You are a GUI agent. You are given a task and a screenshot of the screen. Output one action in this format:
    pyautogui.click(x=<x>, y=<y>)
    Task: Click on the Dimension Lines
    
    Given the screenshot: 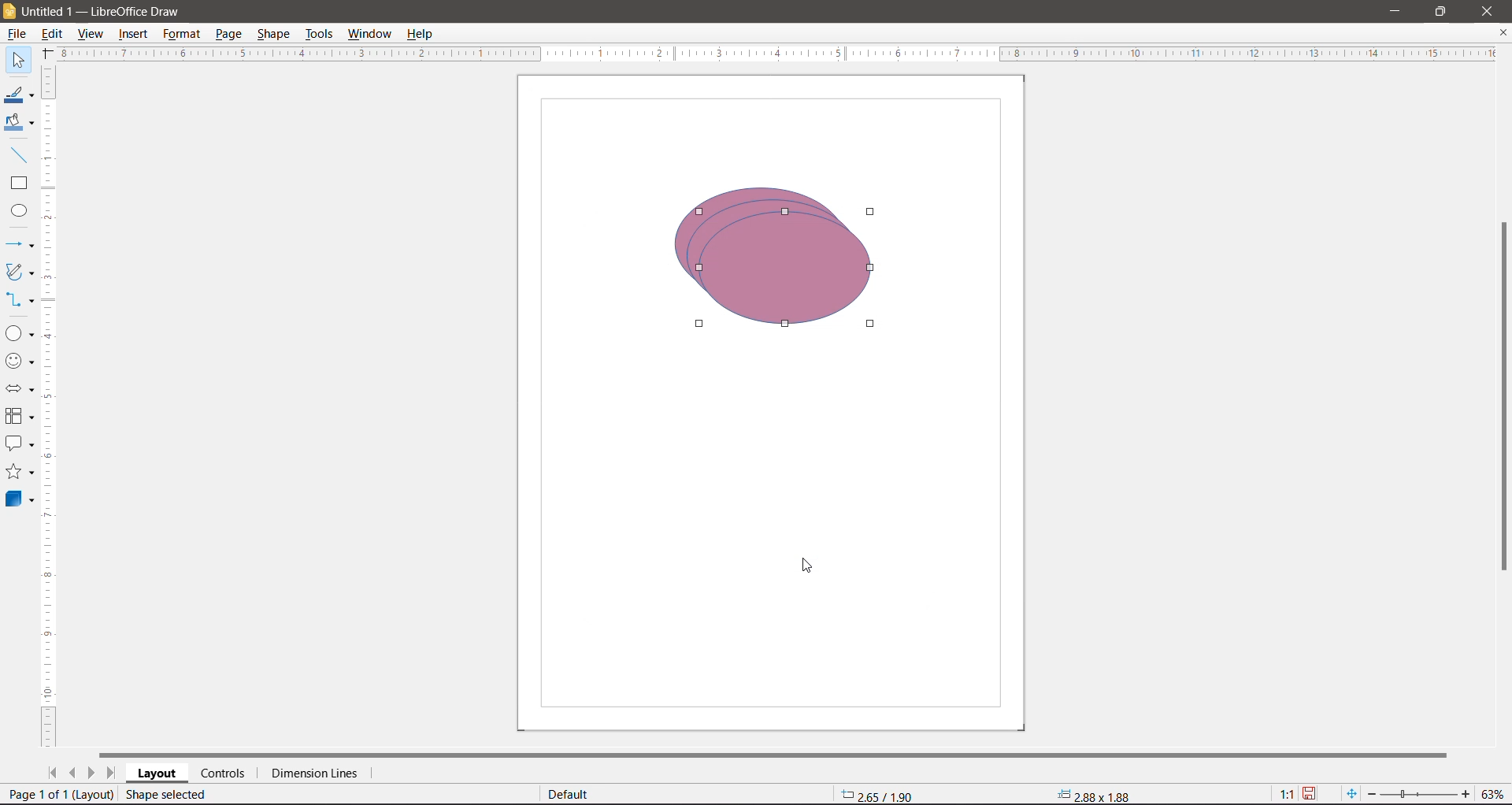 What is the action you would take?
    pyautogui.click(x=318, y=773)
    